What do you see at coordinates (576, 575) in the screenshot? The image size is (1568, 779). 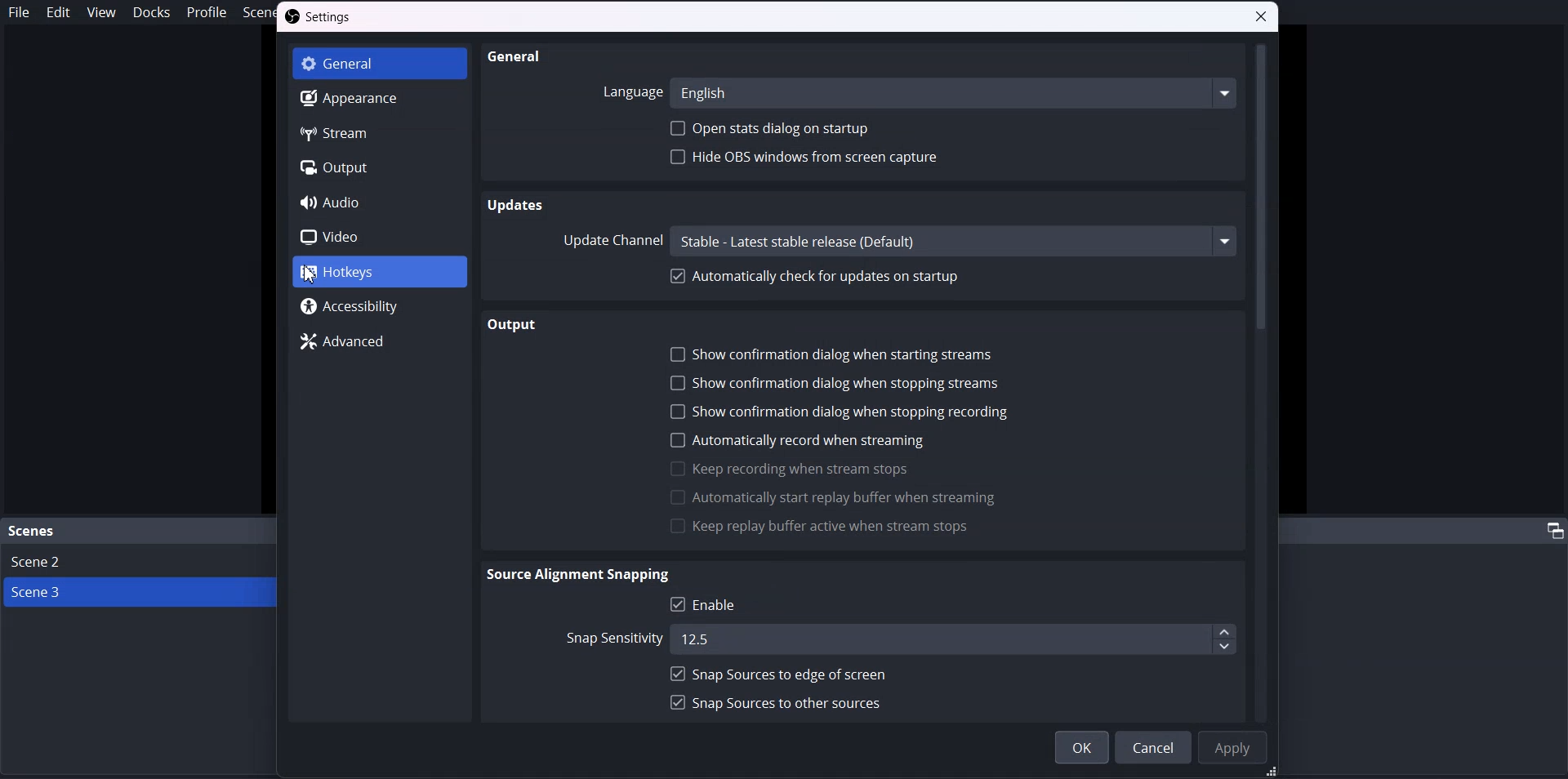 I see `Source alignment Snipping` at bounding box center [576, 575].